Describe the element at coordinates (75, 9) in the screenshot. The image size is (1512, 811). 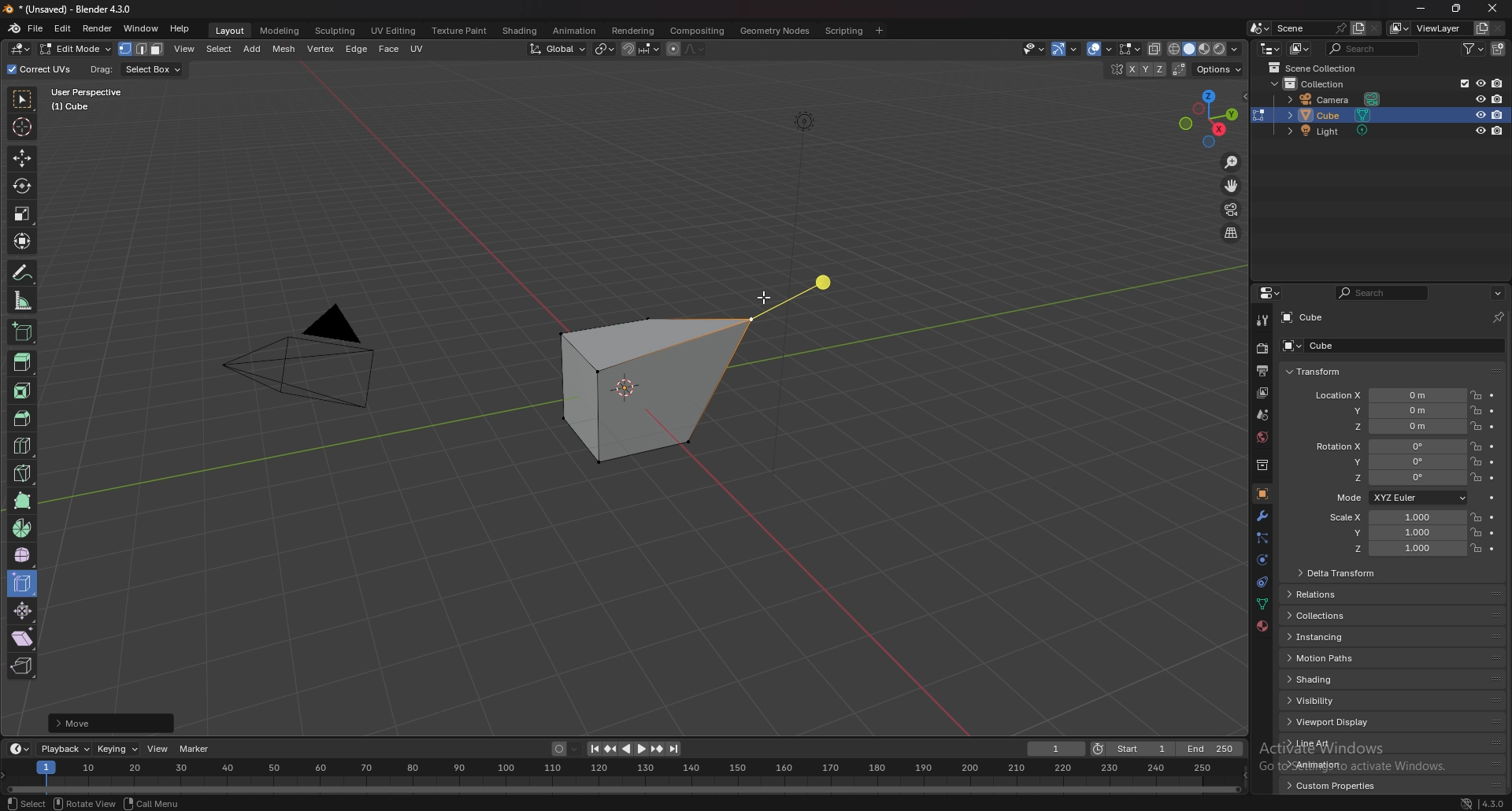
I see `title` at that location.